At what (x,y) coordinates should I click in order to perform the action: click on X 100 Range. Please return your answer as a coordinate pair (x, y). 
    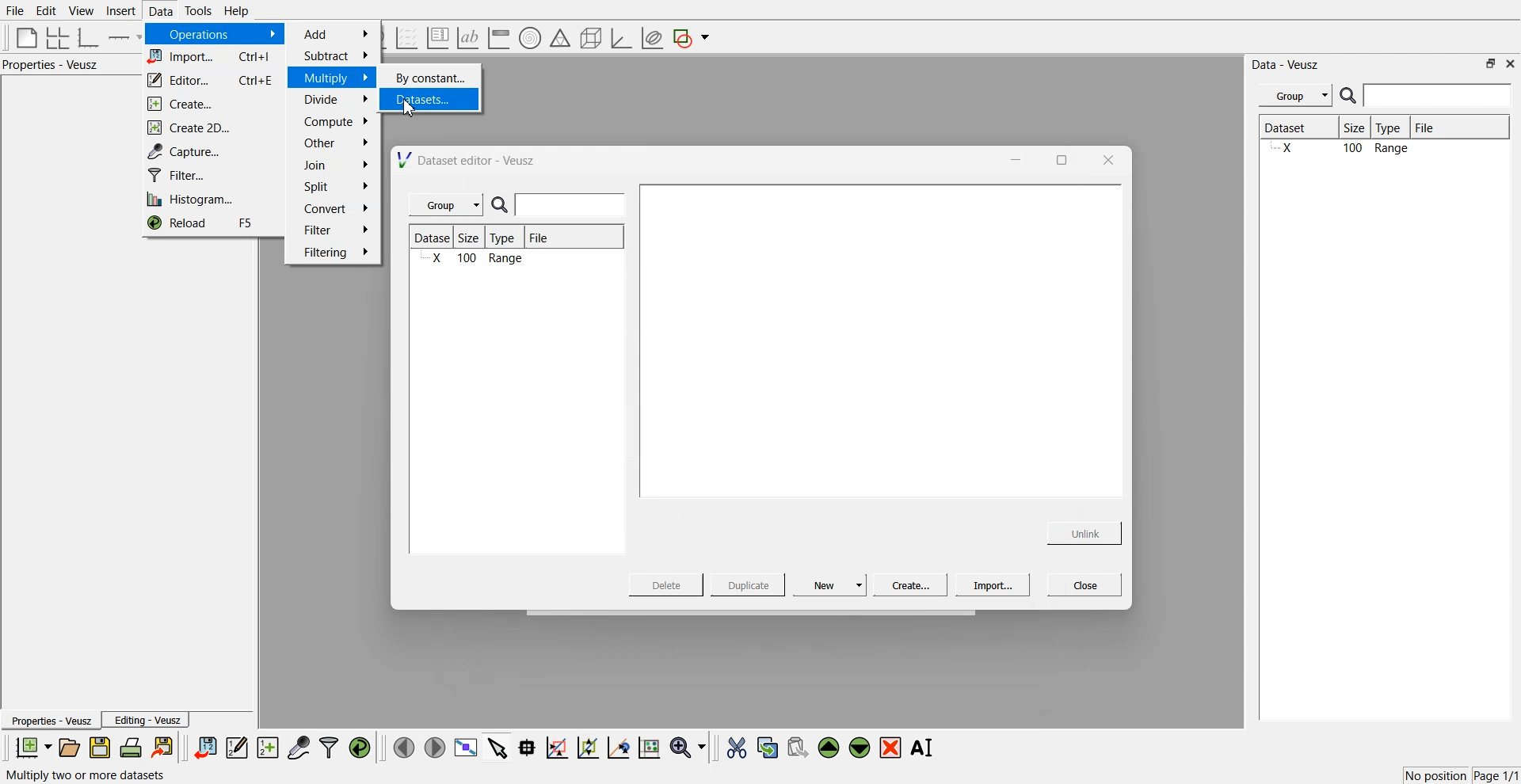
    Looking at the image, I should click on (475, 260).